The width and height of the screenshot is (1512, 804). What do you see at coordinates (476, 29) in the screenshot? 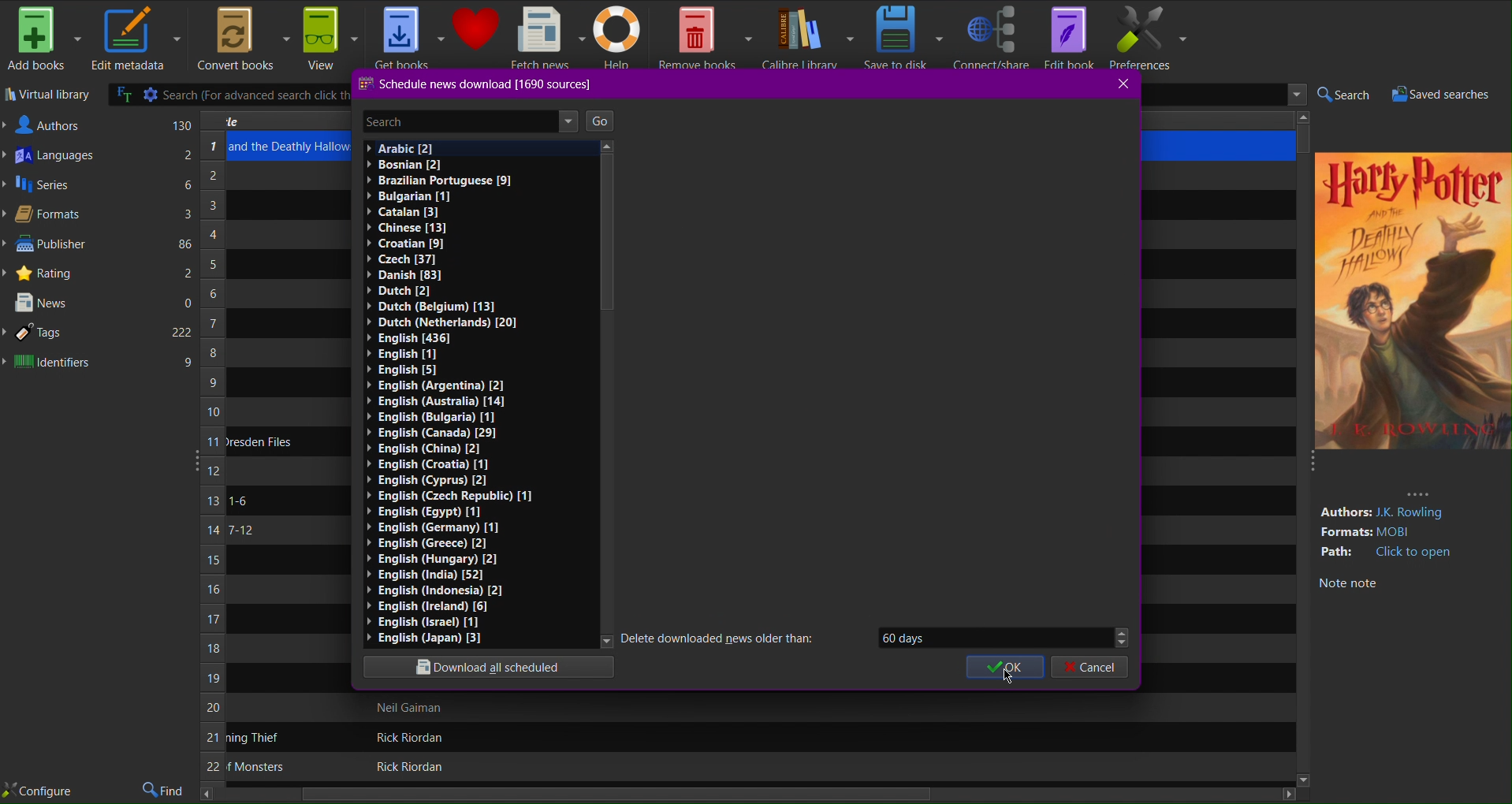
I see `Favorite` at bounding box center [476, 29].